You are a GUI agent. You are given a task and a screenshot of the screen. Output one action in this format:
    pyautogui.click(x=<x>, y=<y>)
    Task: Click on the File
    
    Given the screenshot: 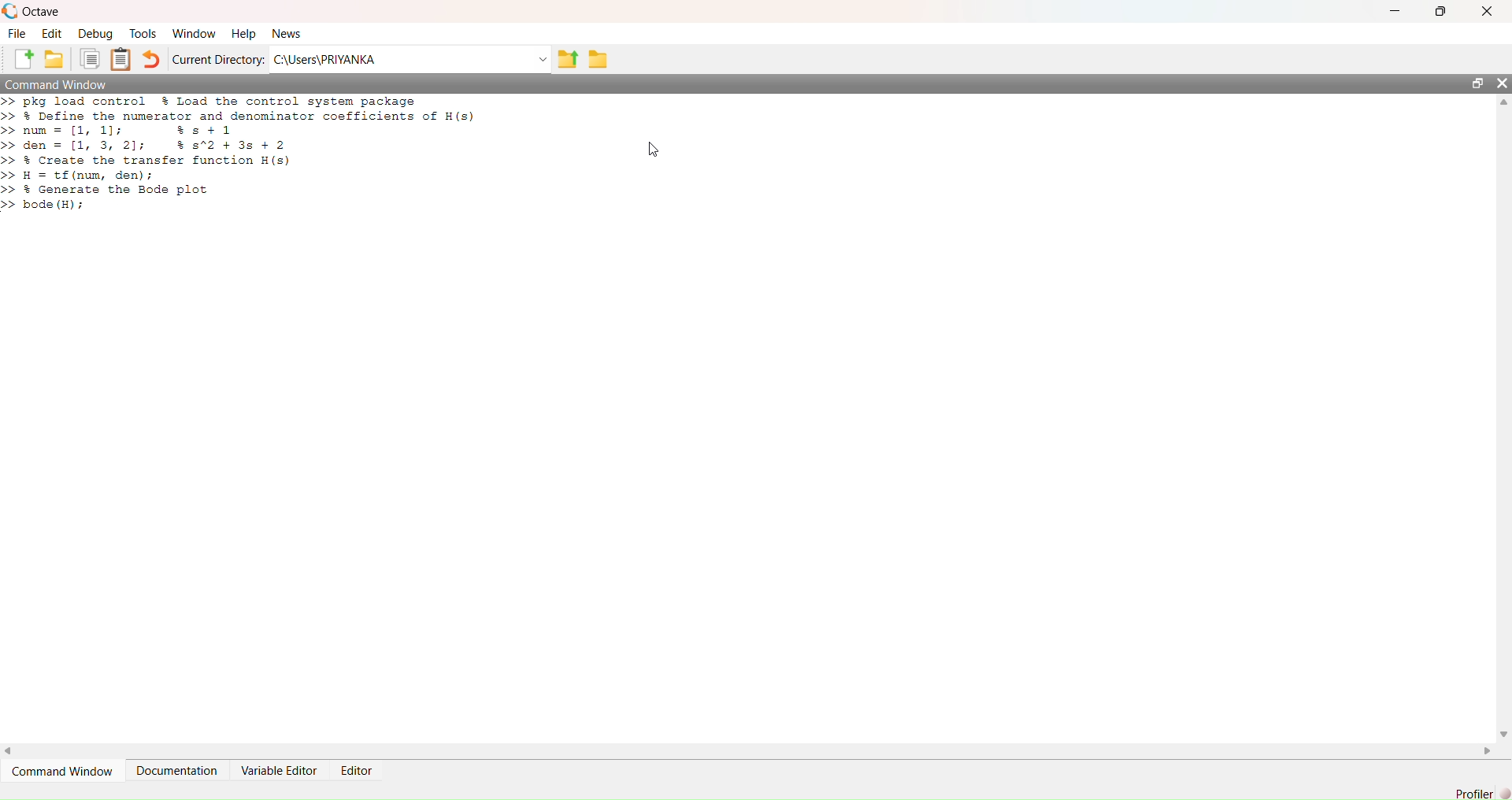 What is the action you would take?
    pyautogui.click(x=18, y=33)
    